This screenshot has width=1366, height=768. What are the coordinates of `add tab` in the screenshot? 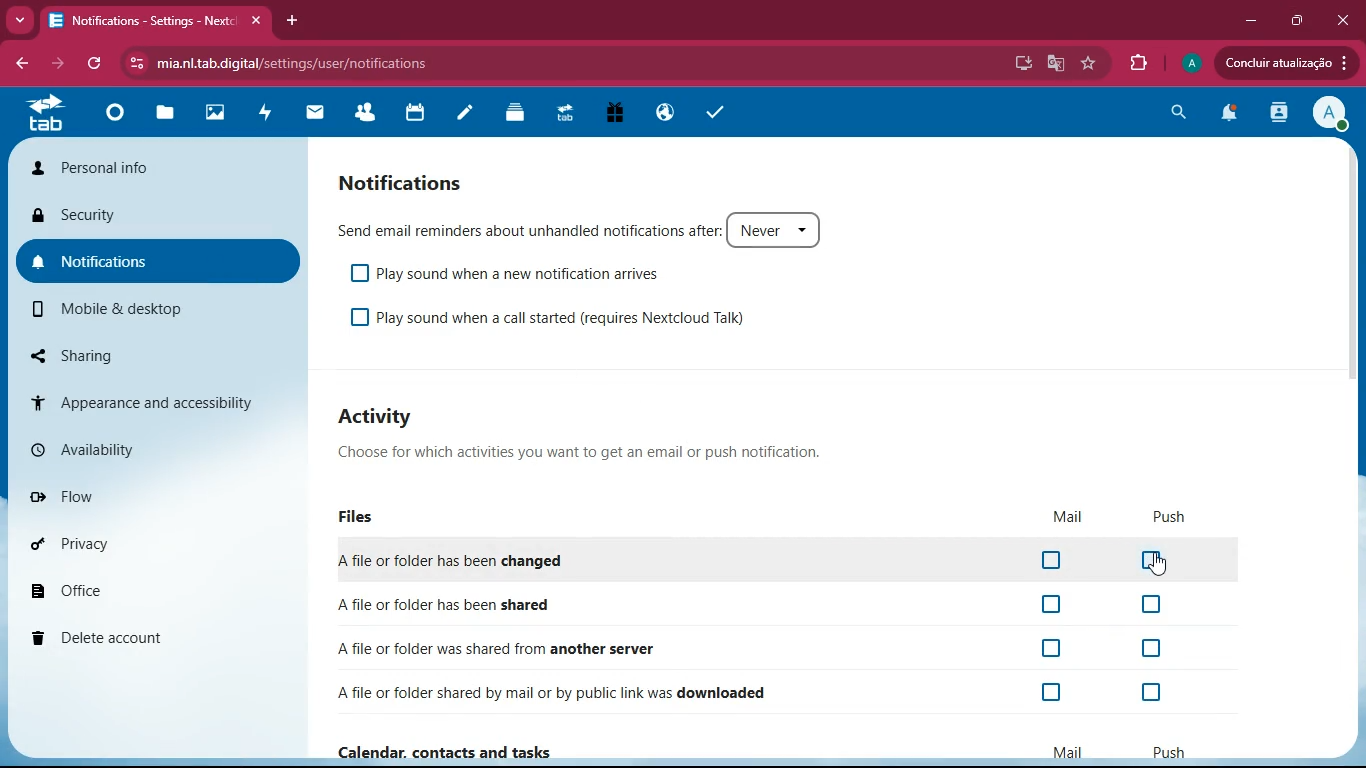 It's located at (292, 20).